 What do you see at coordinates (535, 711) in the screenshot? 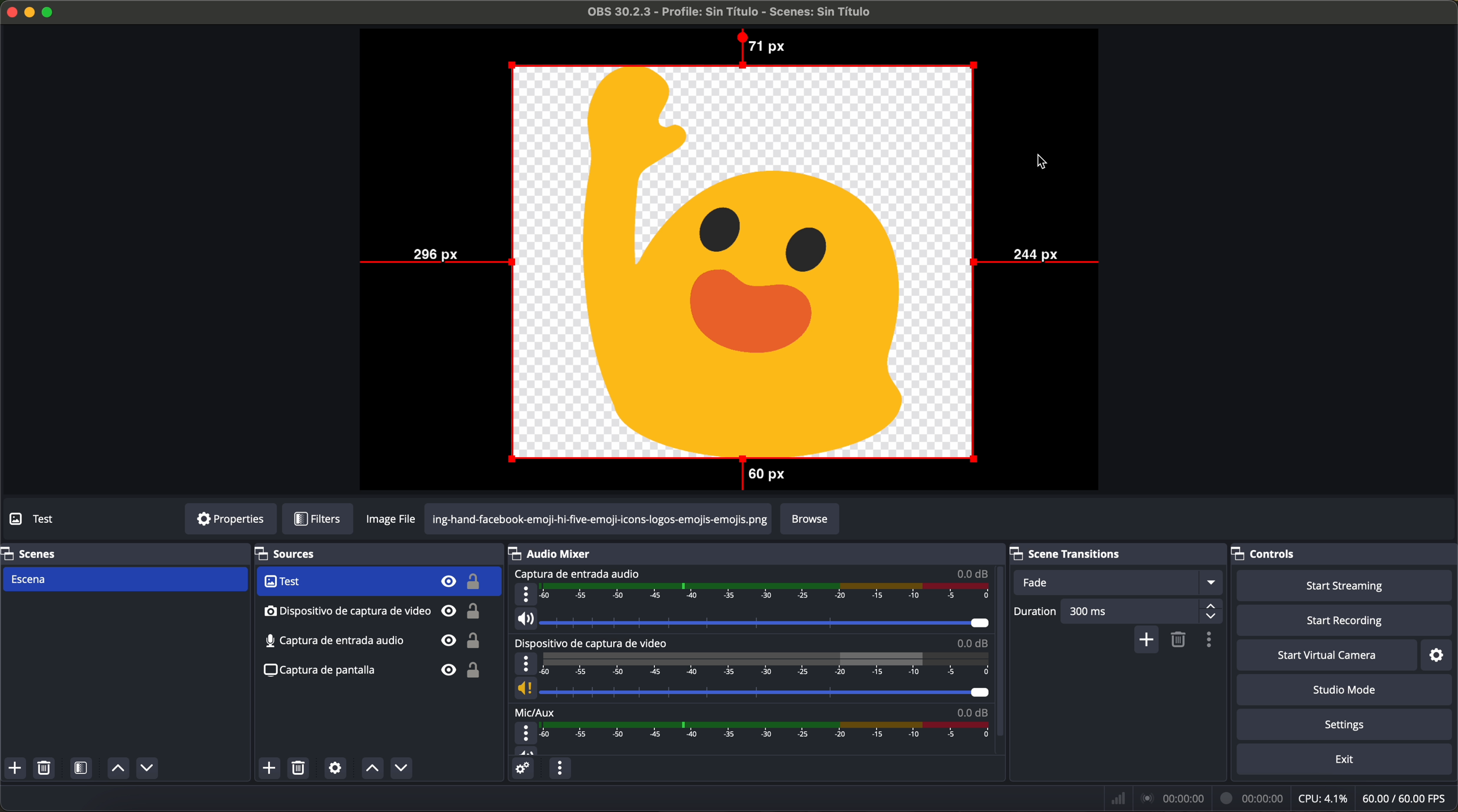
I see `mic/aux` at bounding box center [535, 711].